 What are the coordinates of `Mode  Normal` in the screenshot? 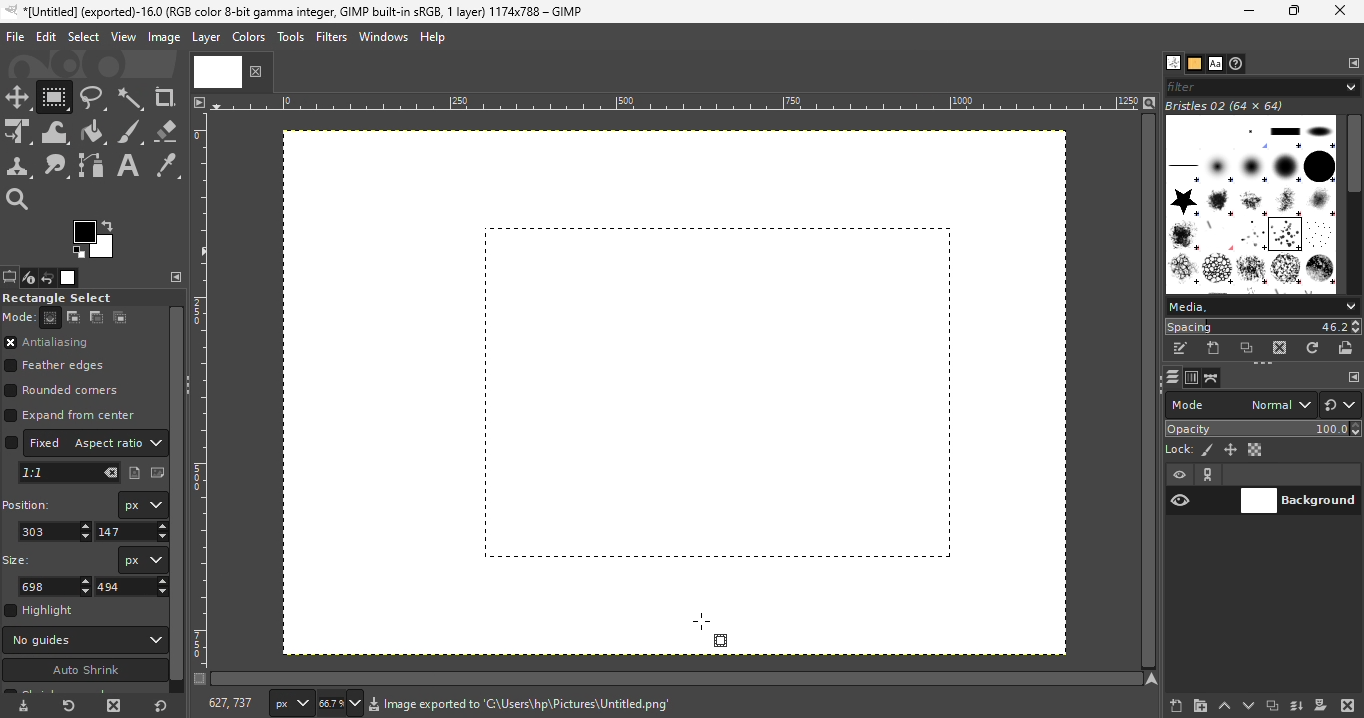 It's located at (1240, 403).